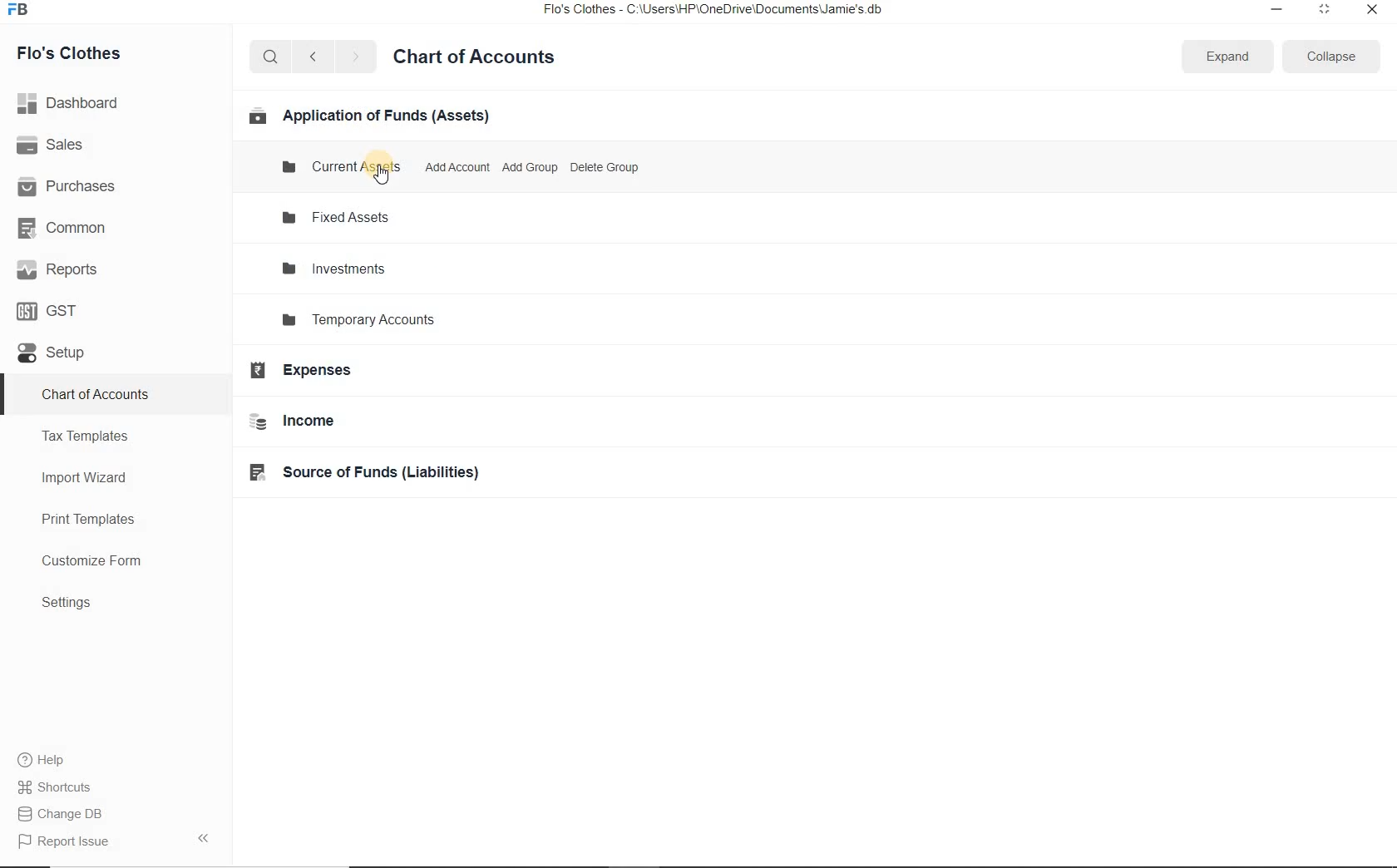 This screenshot has height=868, width=1397. I want to click on Income, so click(324, 425).